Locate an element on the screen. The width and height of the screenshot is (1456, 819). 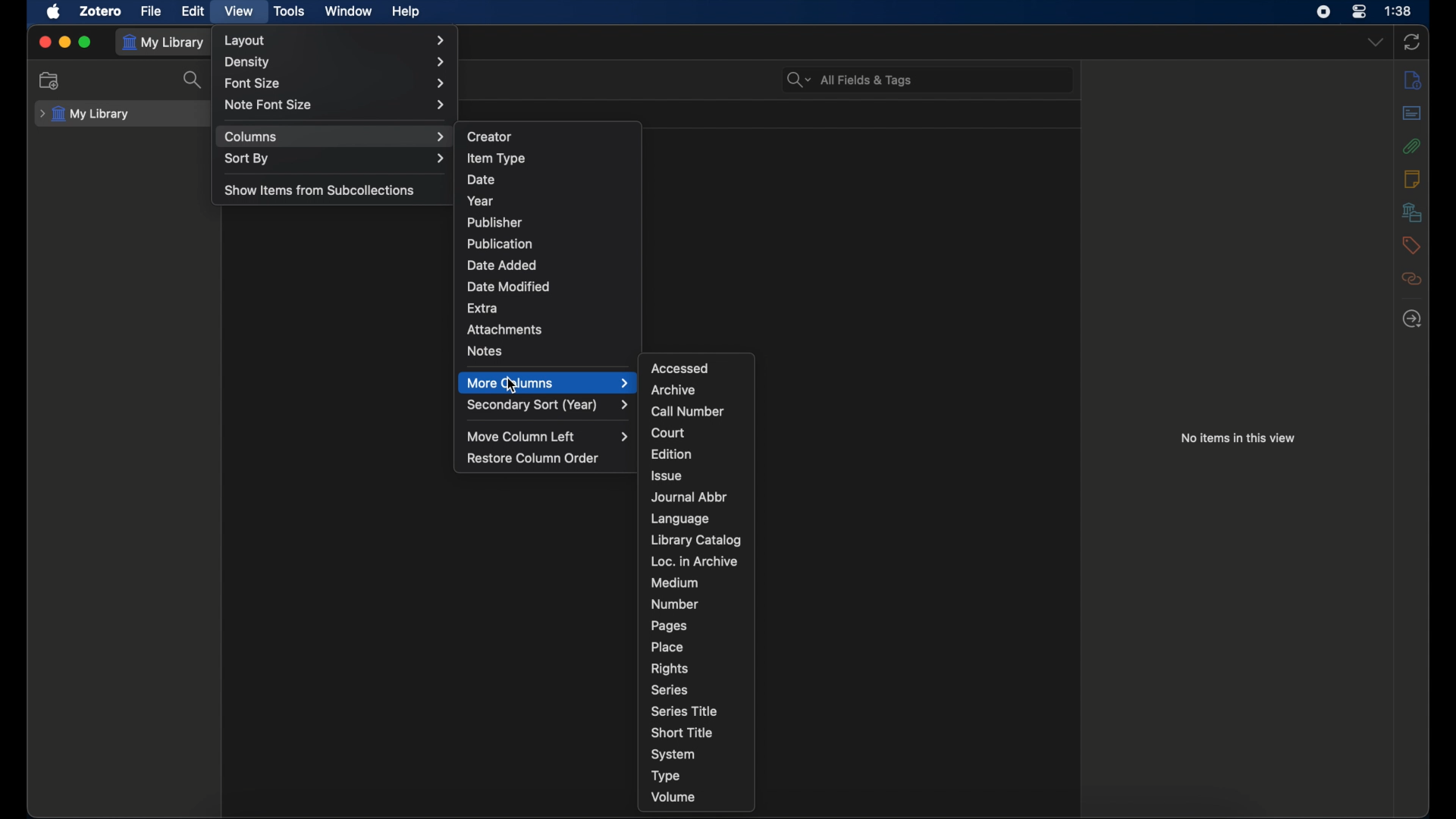
journal abbr is located at coordinates (691, 497).